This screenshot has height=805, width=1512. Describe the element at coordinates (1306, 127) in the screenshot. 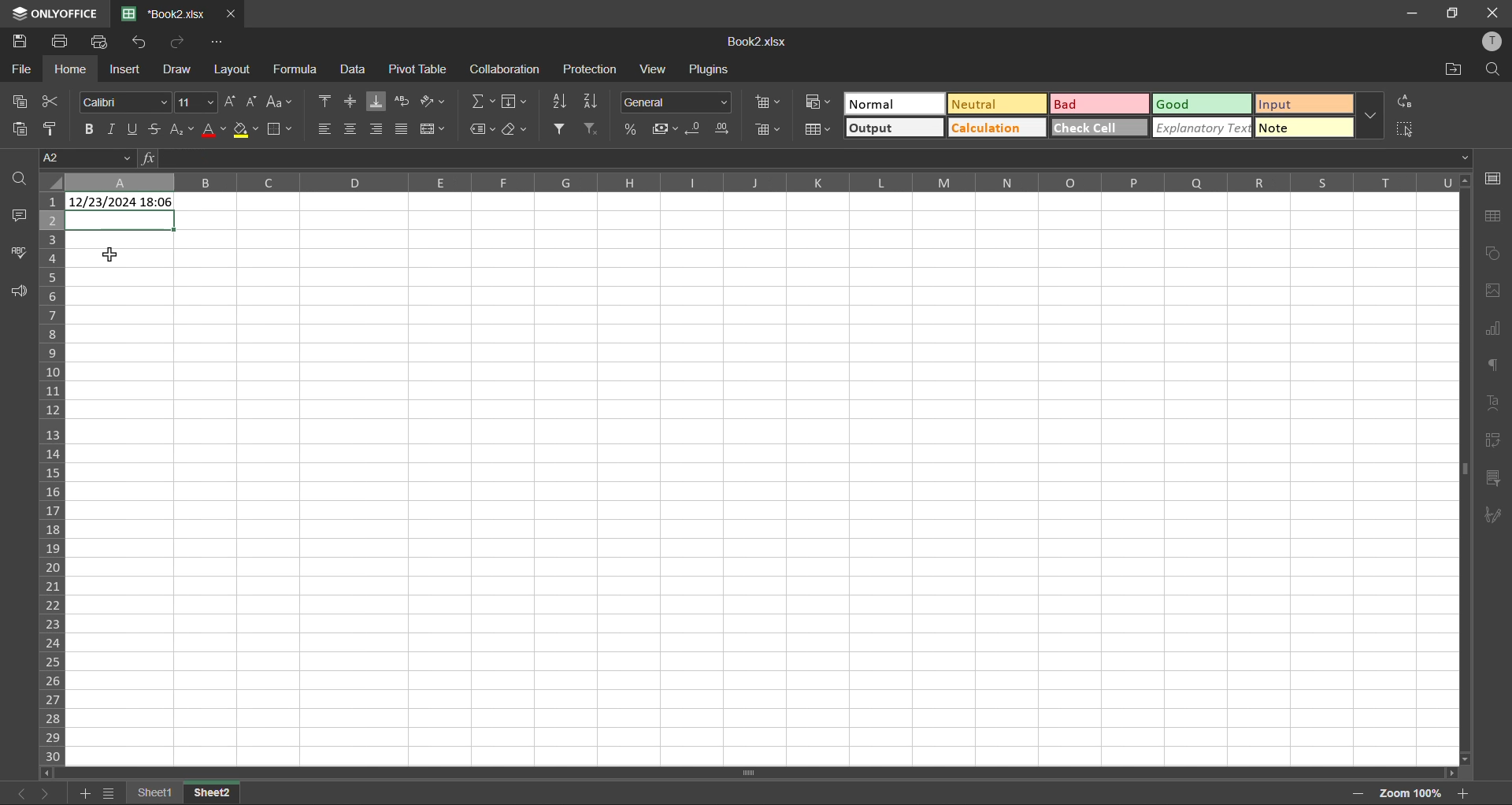

I see `note` at that location.